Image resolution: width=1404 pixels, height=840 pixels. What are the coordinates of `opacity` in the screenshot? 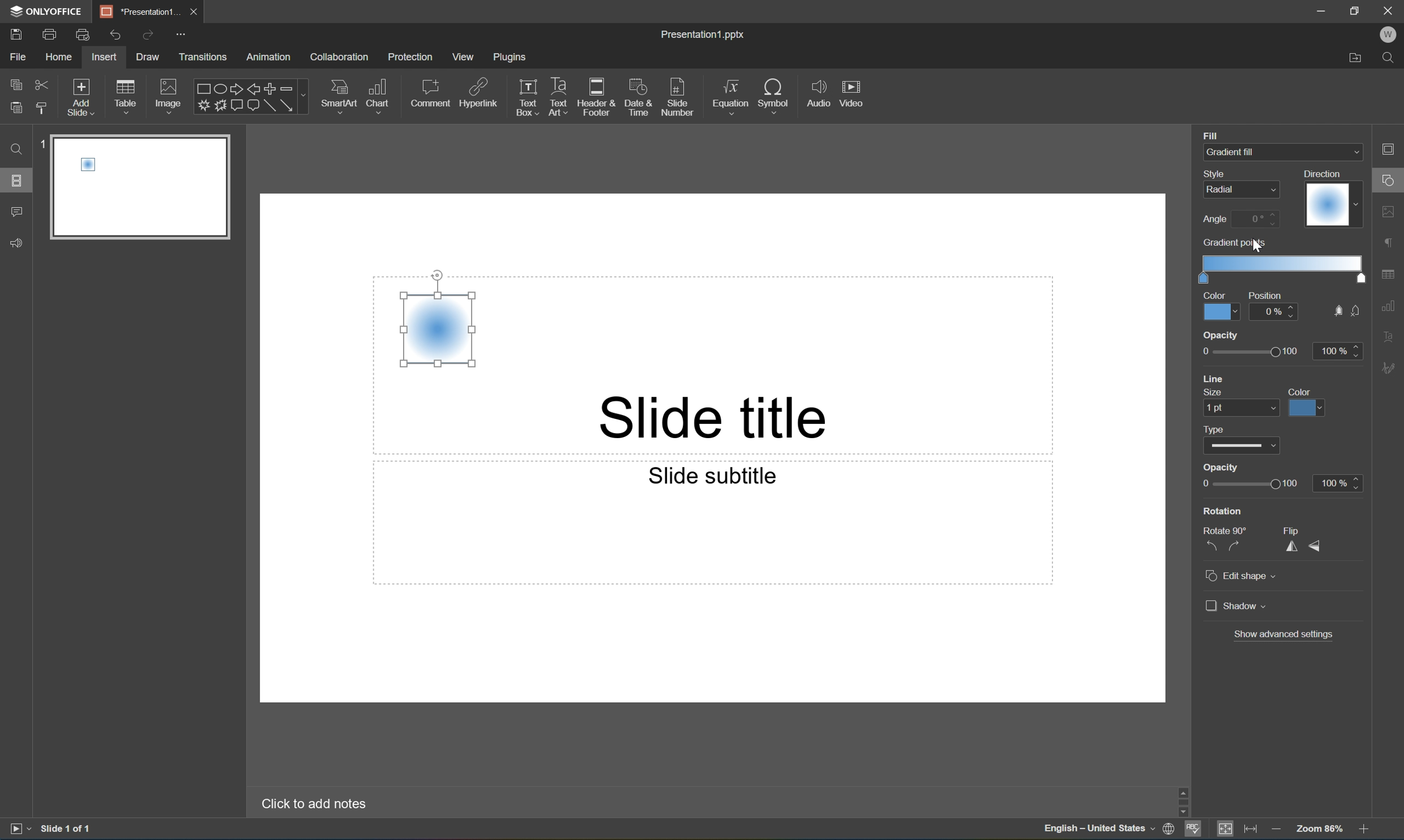 It's located at (1279, 349).